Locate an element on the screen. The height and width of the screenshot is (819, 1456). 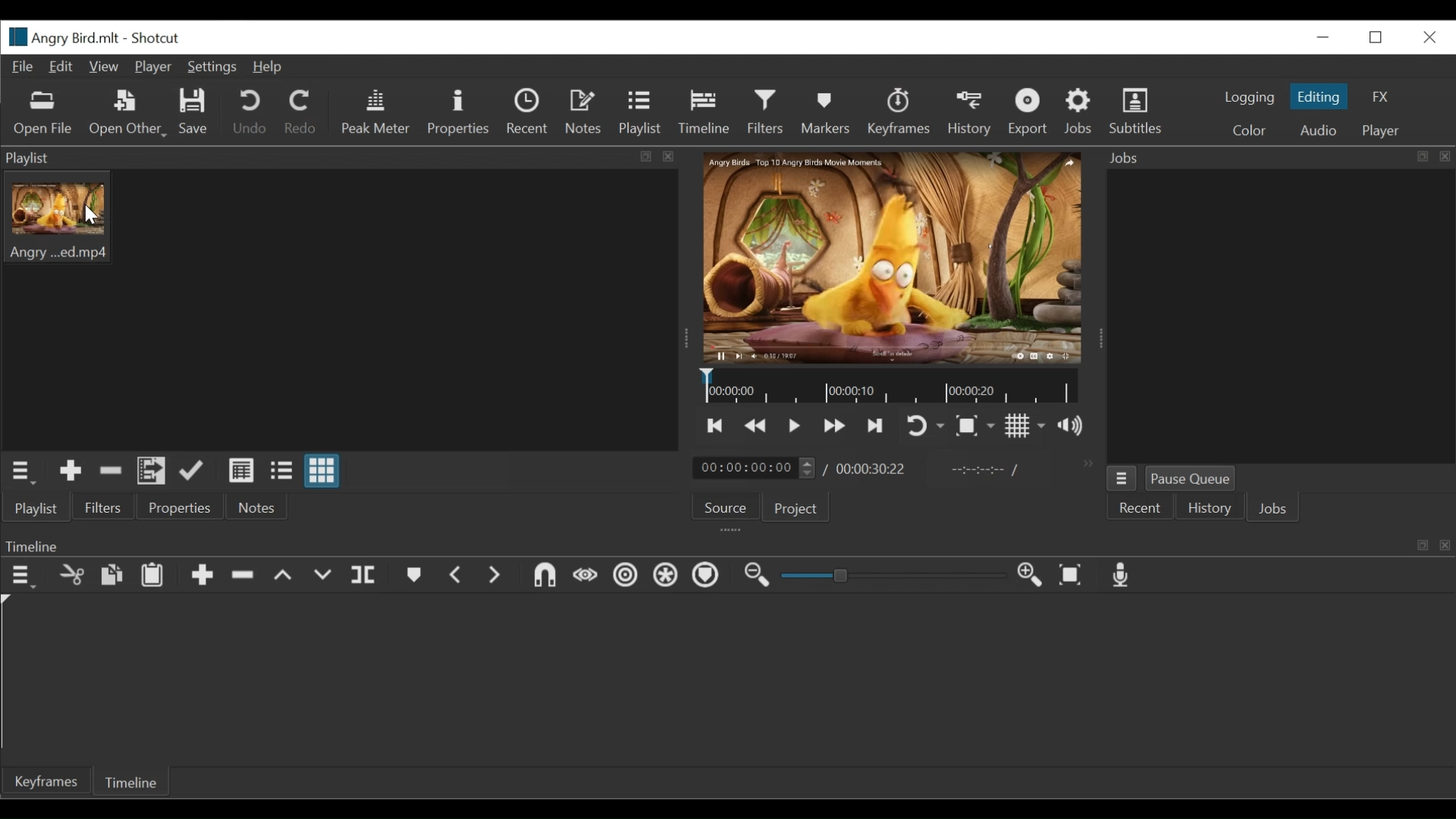
Overwrite is located at coordinates (324, 578).